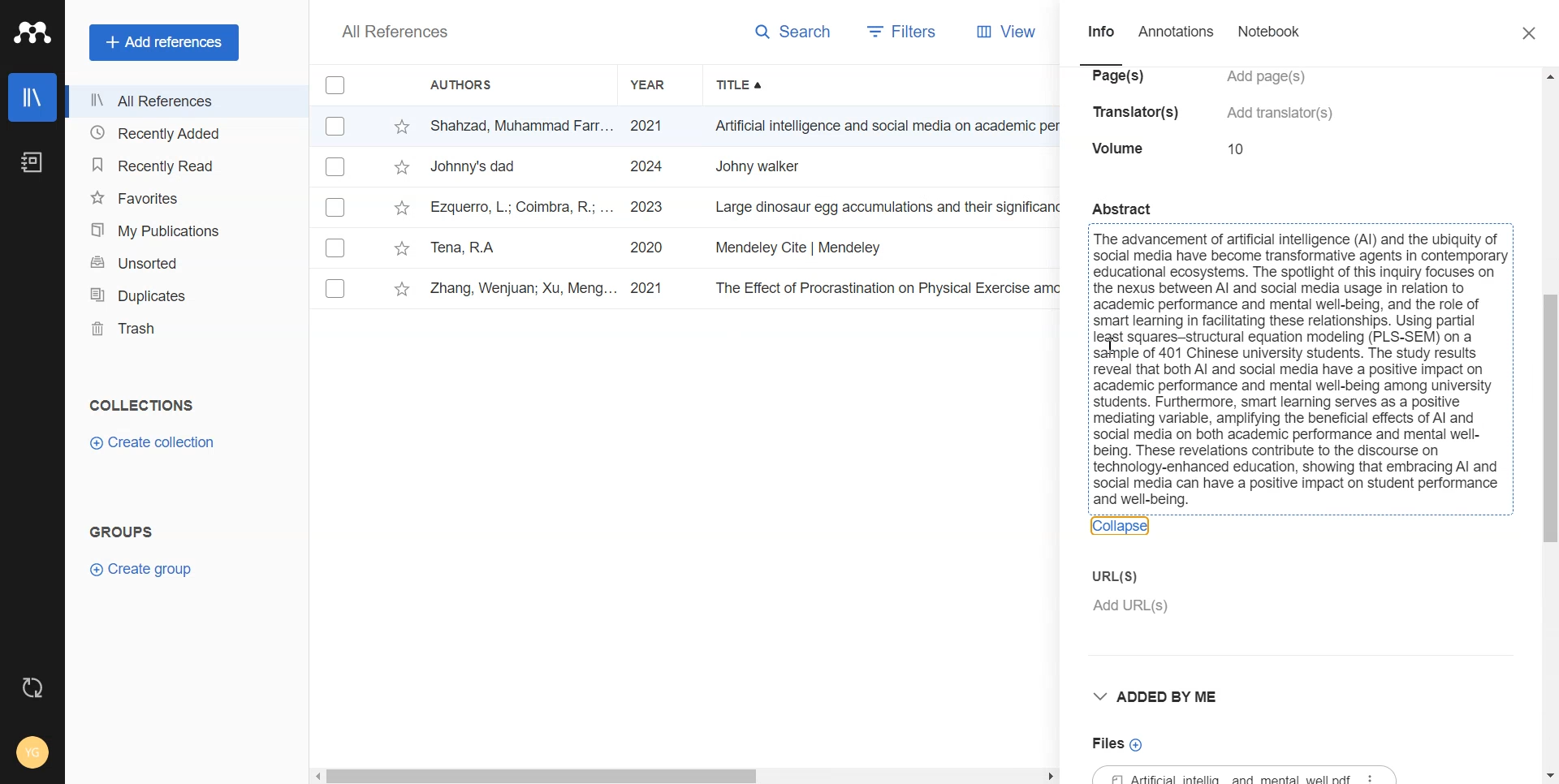  What do you see at coordinates (660, 86) in the screenshot?
I see `Year` at bounding box center [660, 86].